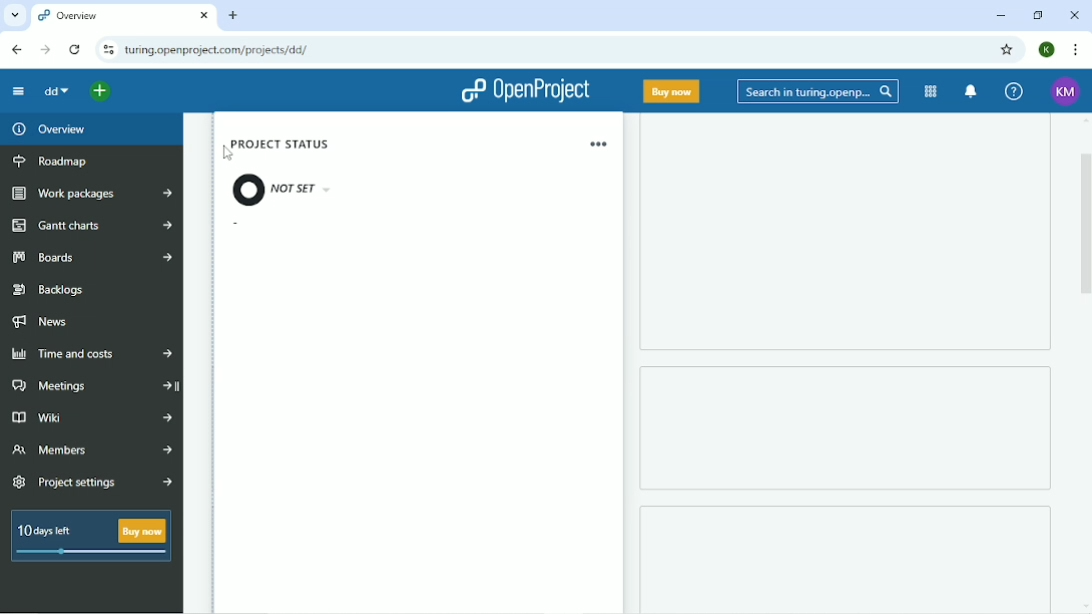 The image size is (1092, 614). I want to click on Customize and control google chrome, so click(1077, 49).